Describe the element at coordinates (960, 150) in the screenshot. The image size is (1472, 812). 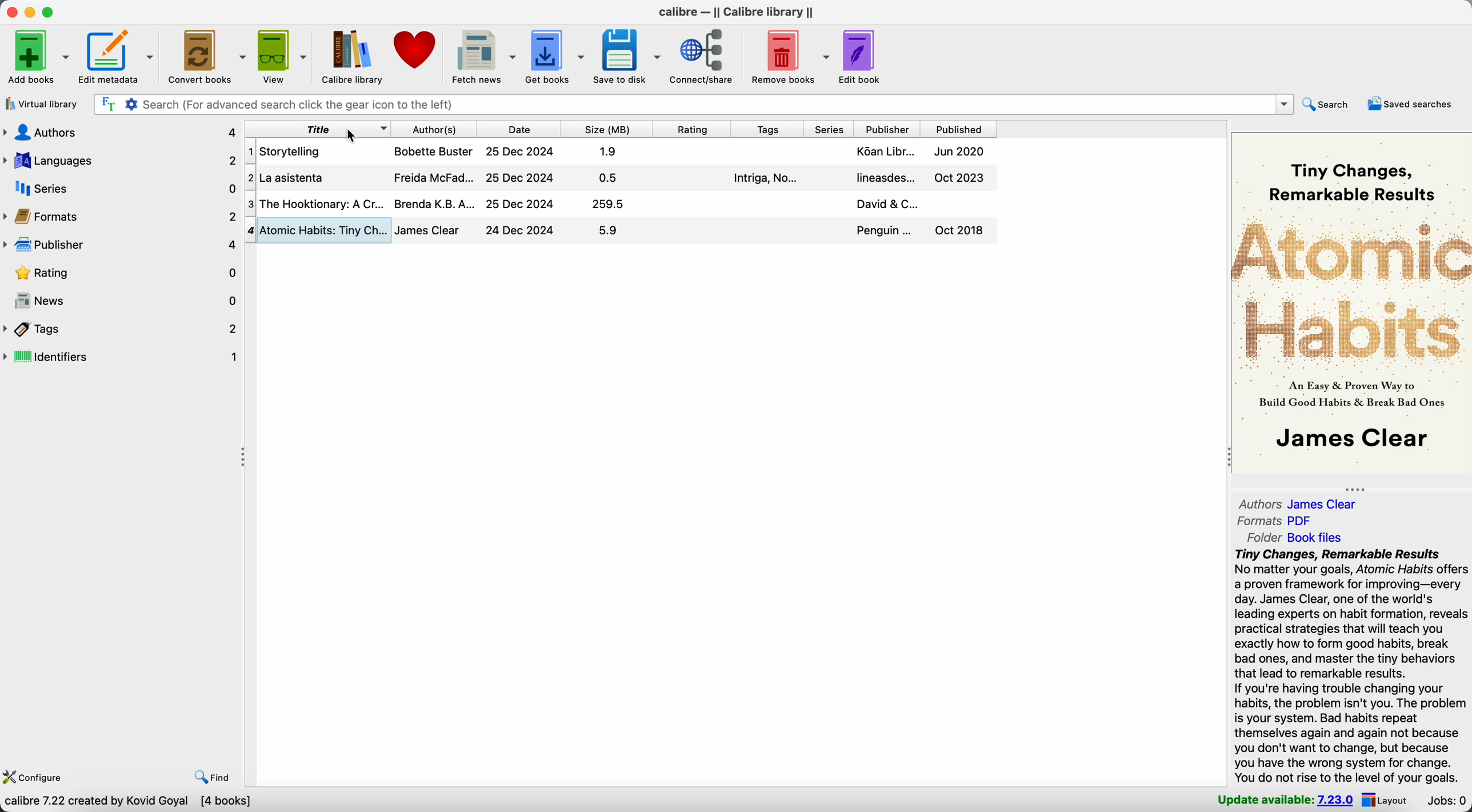
I see `Jun 2020` at that location.